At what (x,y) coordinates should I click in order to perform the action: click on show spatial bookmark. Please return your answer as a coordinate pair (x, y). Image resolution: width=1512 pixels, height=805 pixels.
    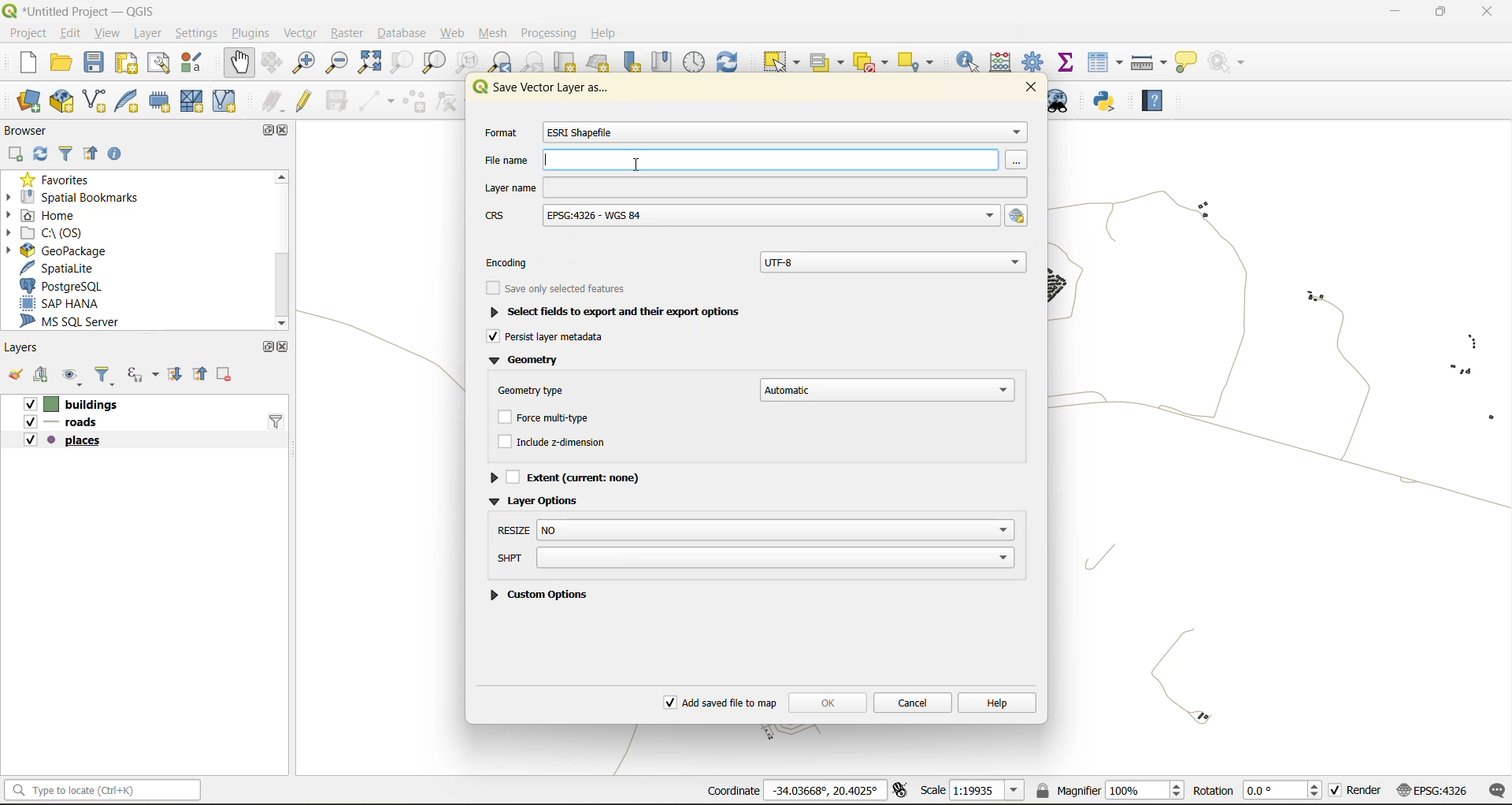
    Looking at the image, I should click on (667, 61).